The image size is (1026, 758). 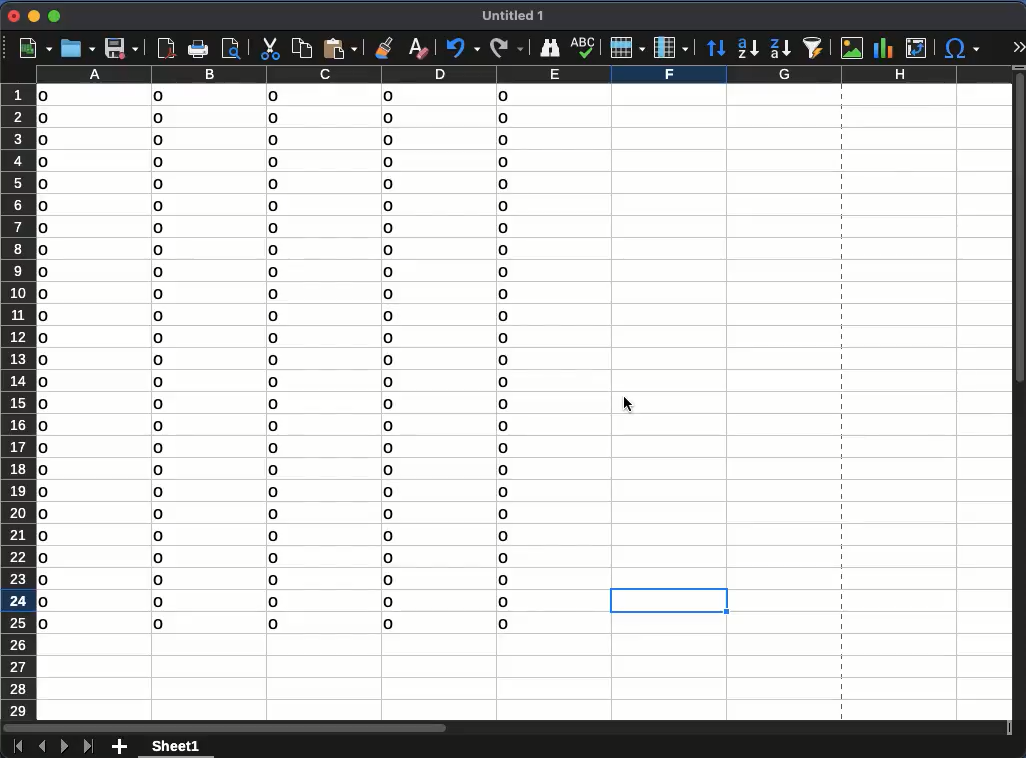 What do you see at coordinates (420, 47) in the screenshot?
I see `clear formatting` at bounding box center [420, 47].